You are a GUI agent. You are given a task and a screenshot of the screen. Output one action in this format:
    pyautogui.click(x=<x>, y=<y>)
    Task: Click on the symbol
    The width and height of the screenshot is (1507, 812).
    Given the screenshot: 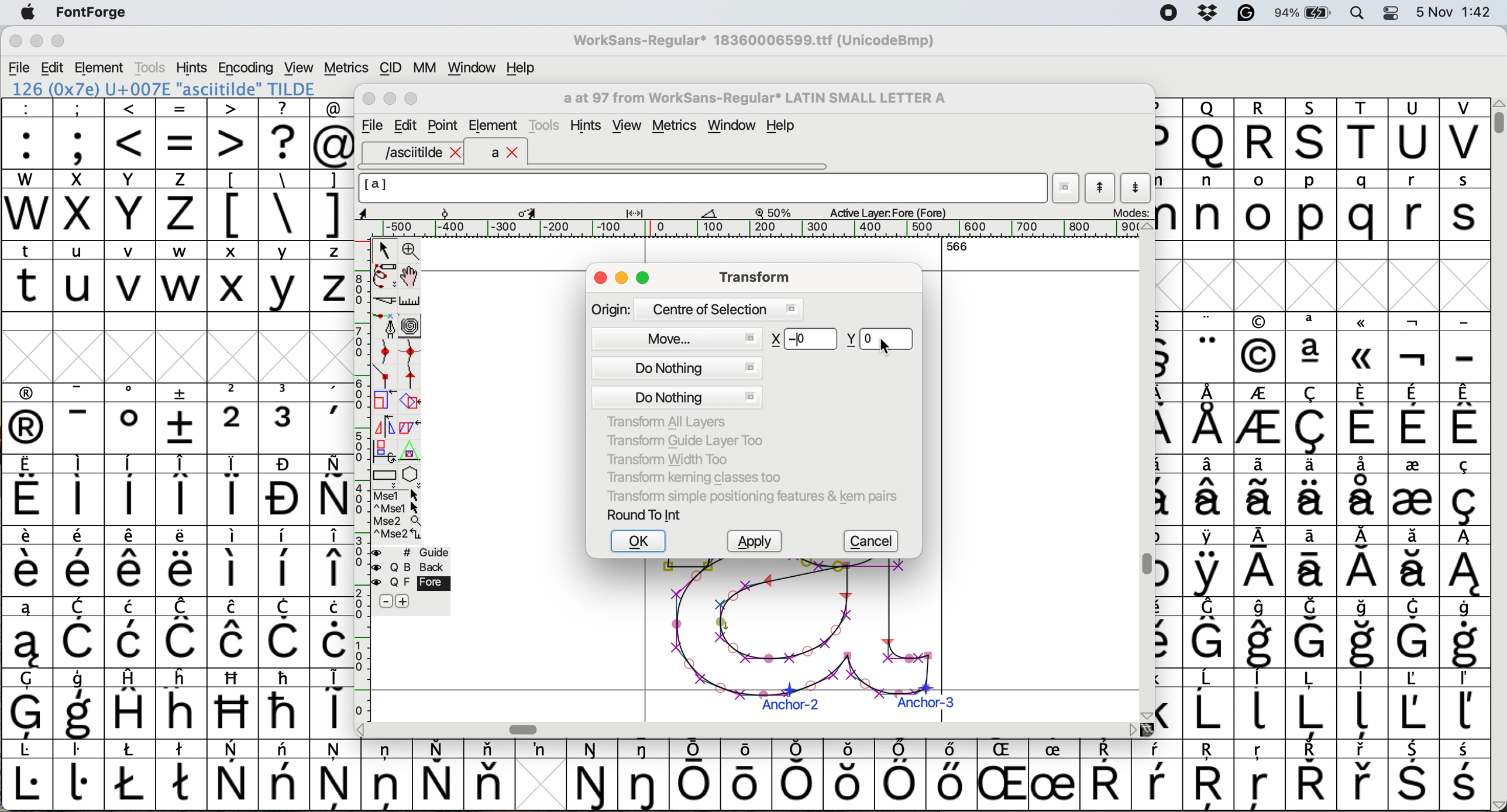 What is the action you would take?
    pyautogui.click(x=646, y=775)
    